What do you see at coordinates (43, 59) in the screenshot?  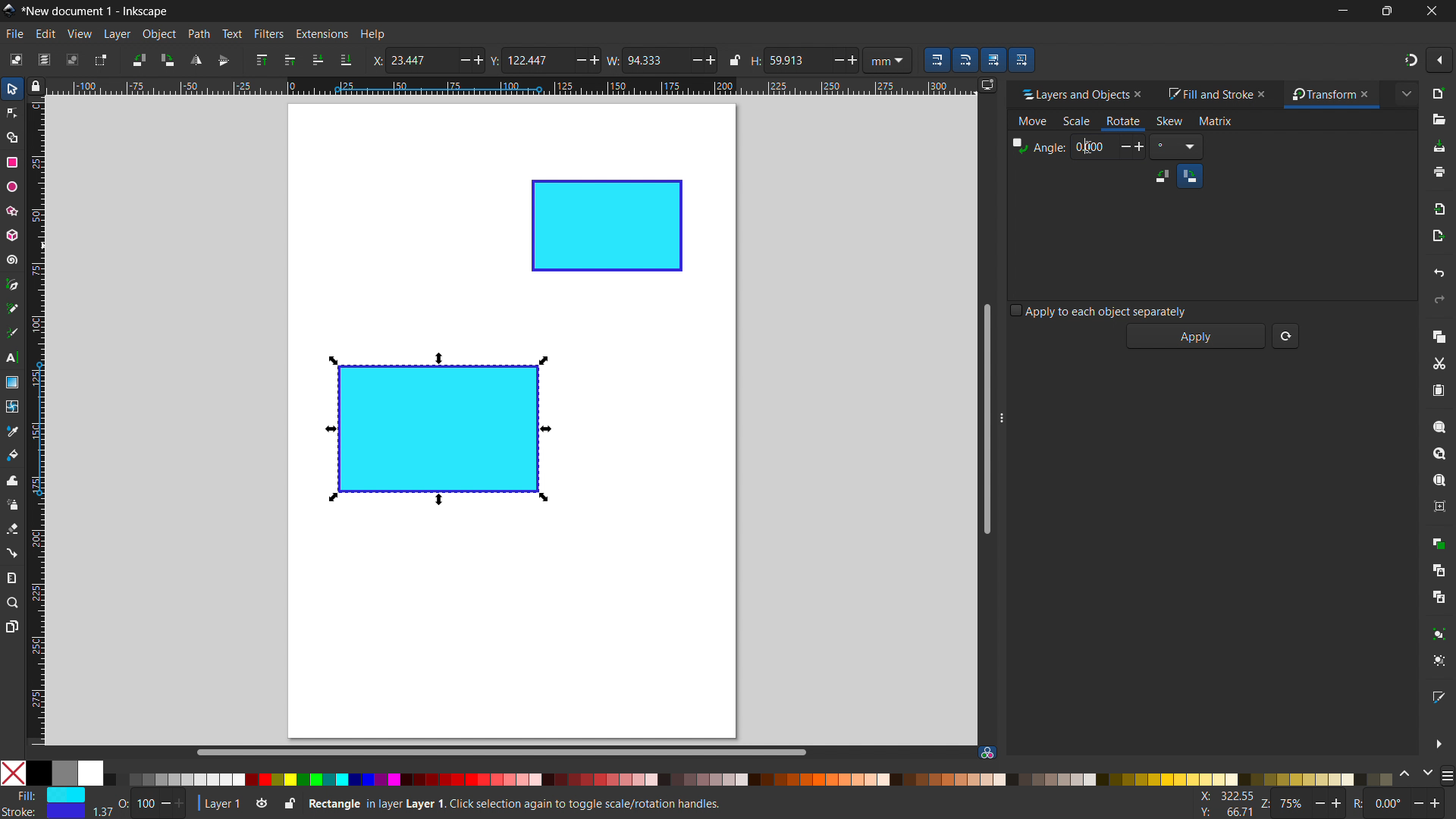 I see `select all in all layers` at bounding box center [43, 59].